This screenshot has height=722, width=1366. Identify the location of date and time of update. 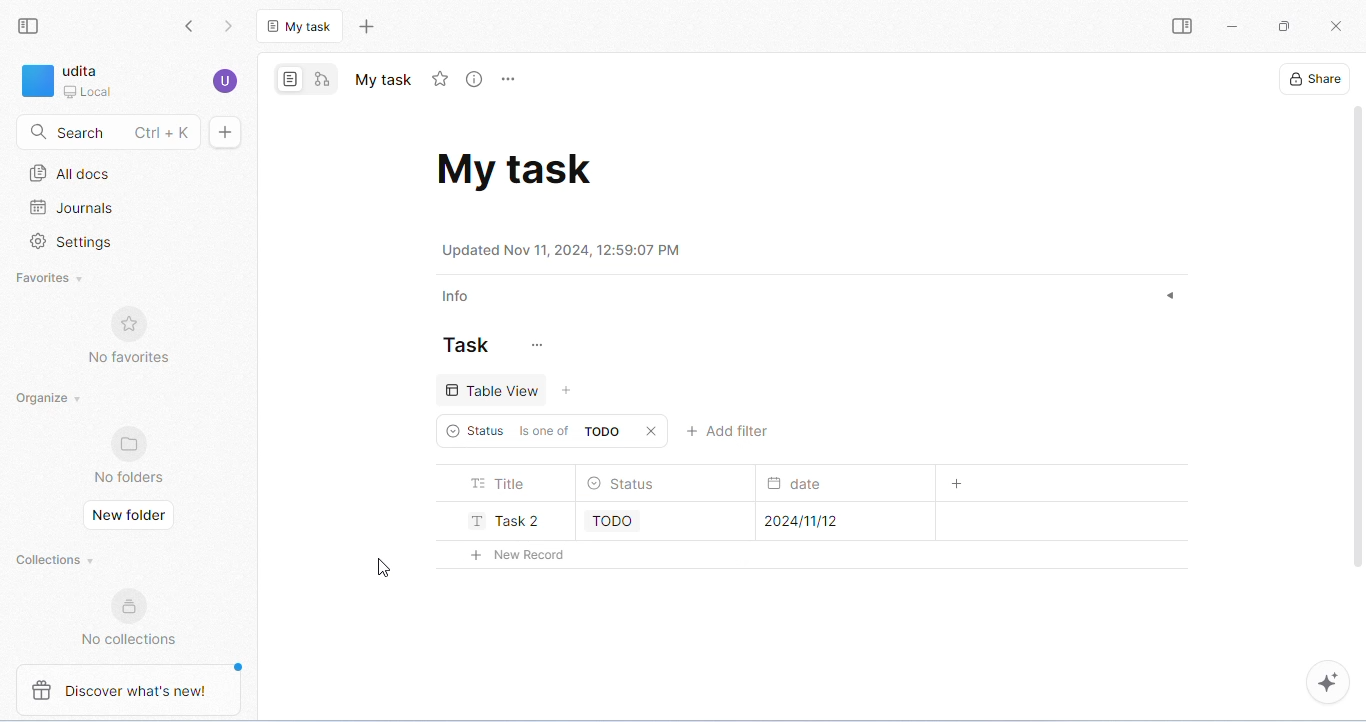
(565, 249).